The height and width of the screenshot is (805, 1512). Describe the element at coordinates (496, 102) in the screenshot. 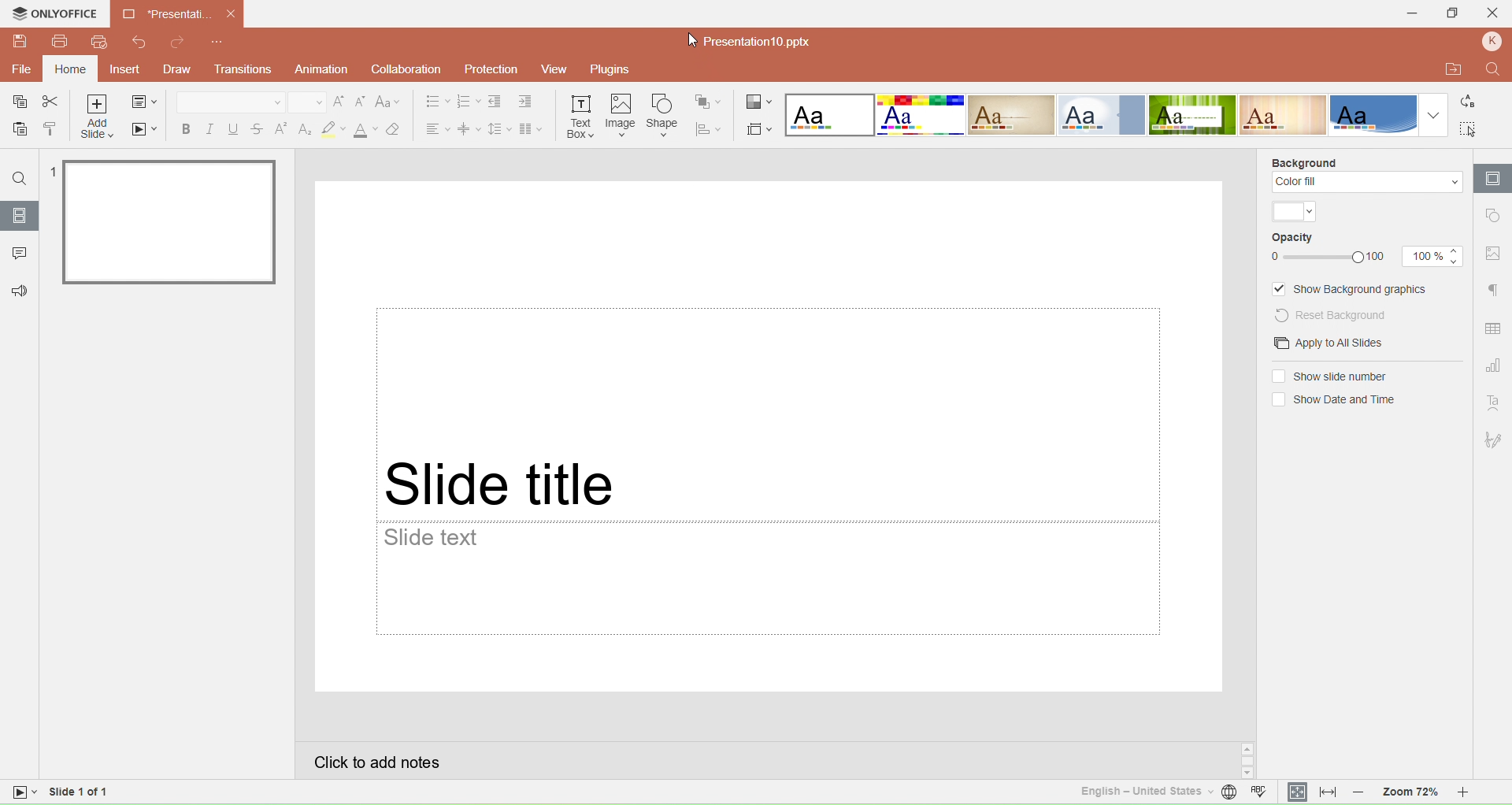

I see `Decrease indent` at that location.